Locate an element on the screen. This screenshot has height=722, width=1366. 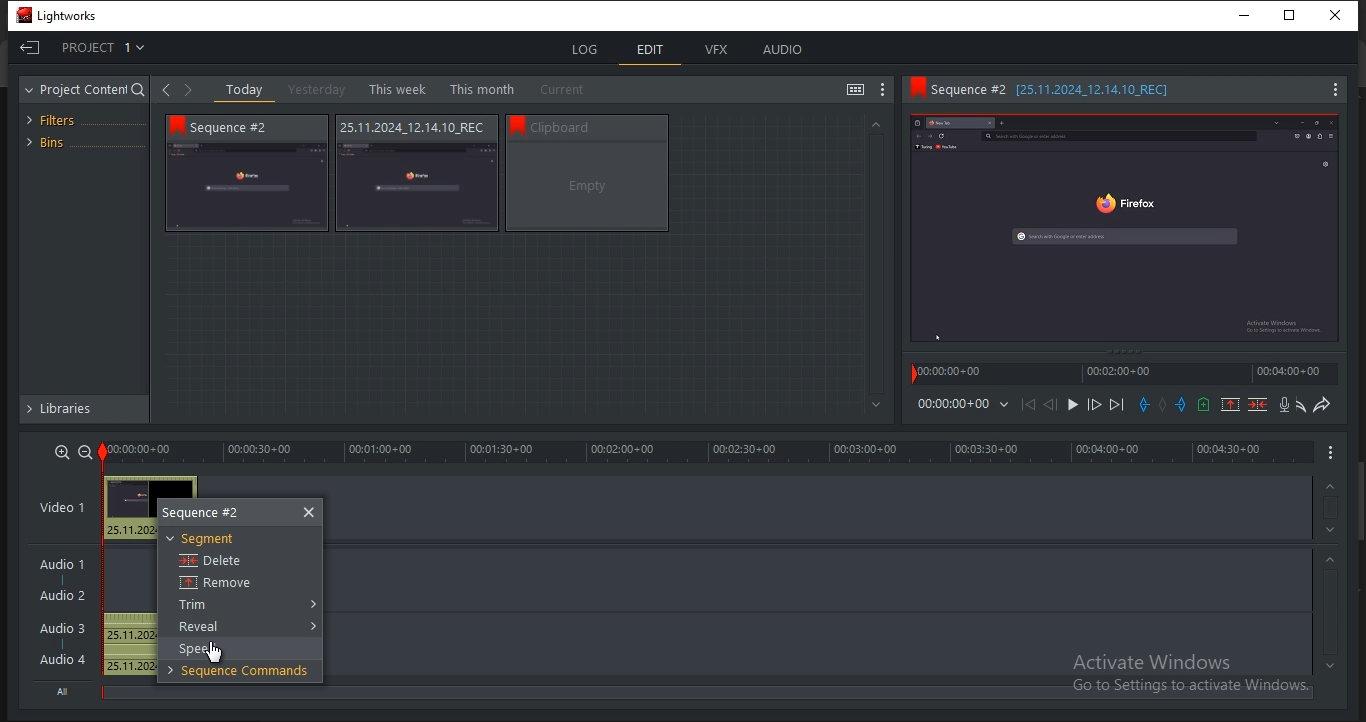
reveal is located at coordinates (203, 627).